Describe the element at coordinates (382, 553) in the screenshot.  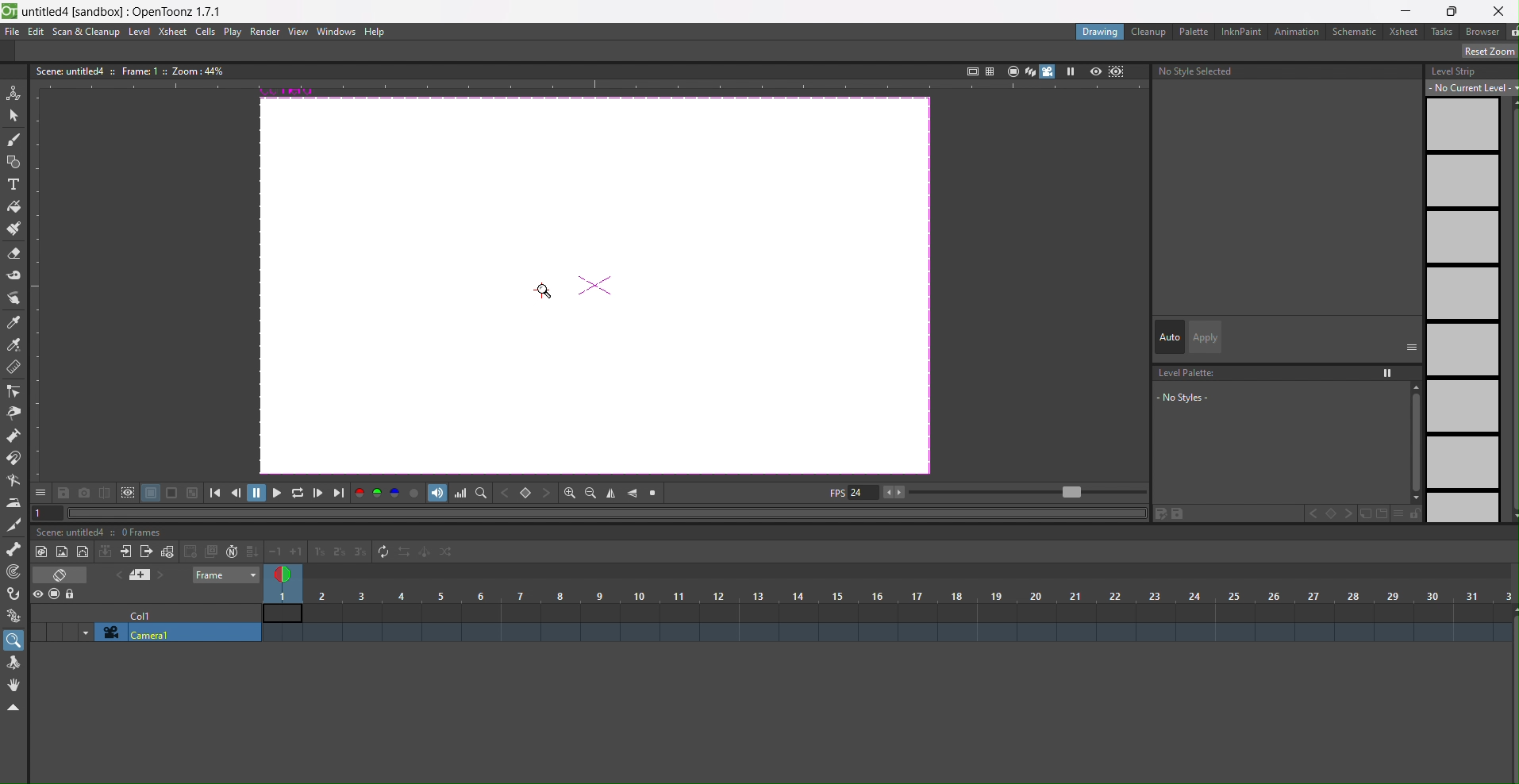
I see `refresh` at that location.